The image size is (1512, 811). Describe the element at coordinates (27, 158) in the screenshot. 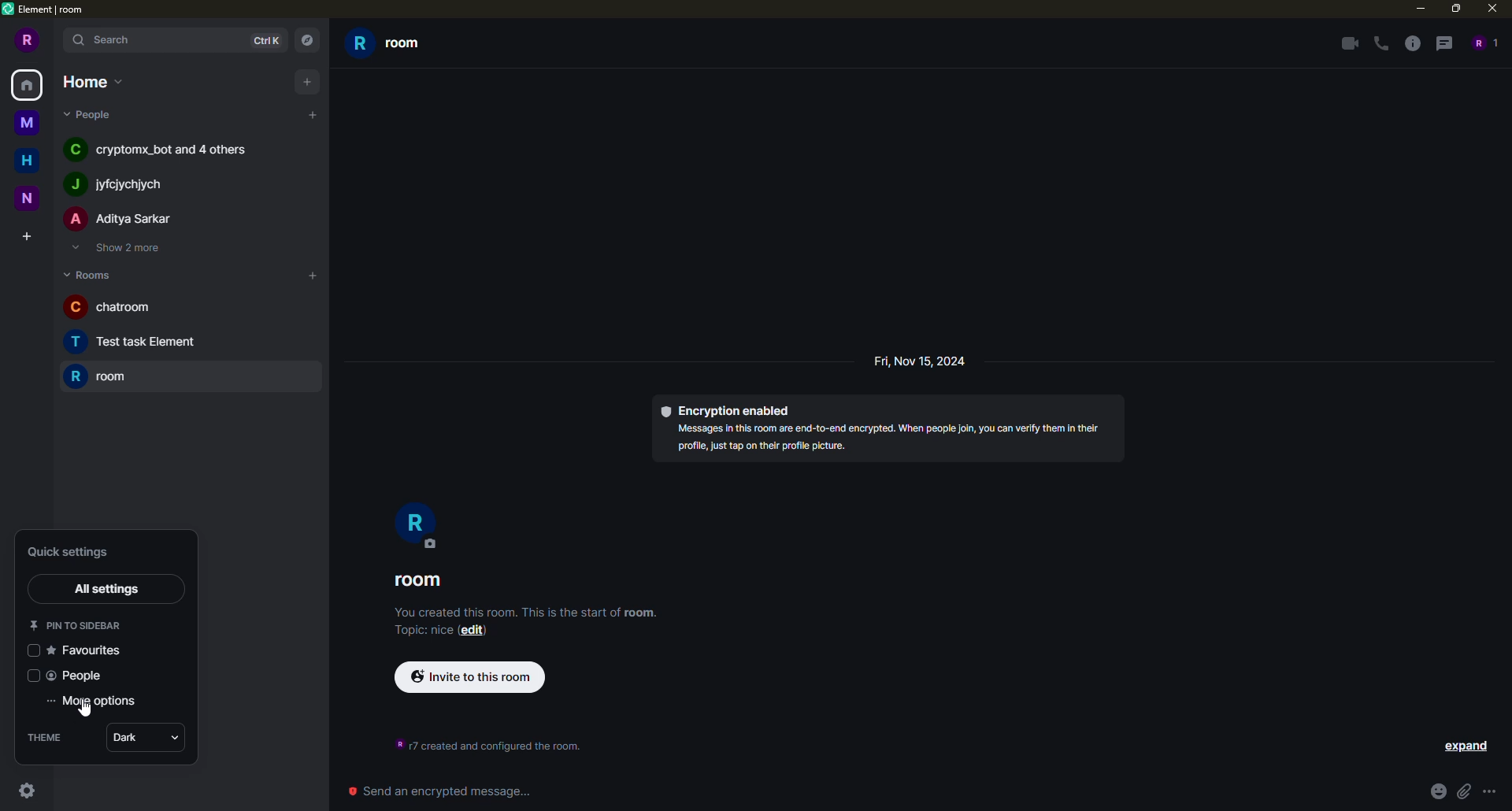

I see `h` at that location.